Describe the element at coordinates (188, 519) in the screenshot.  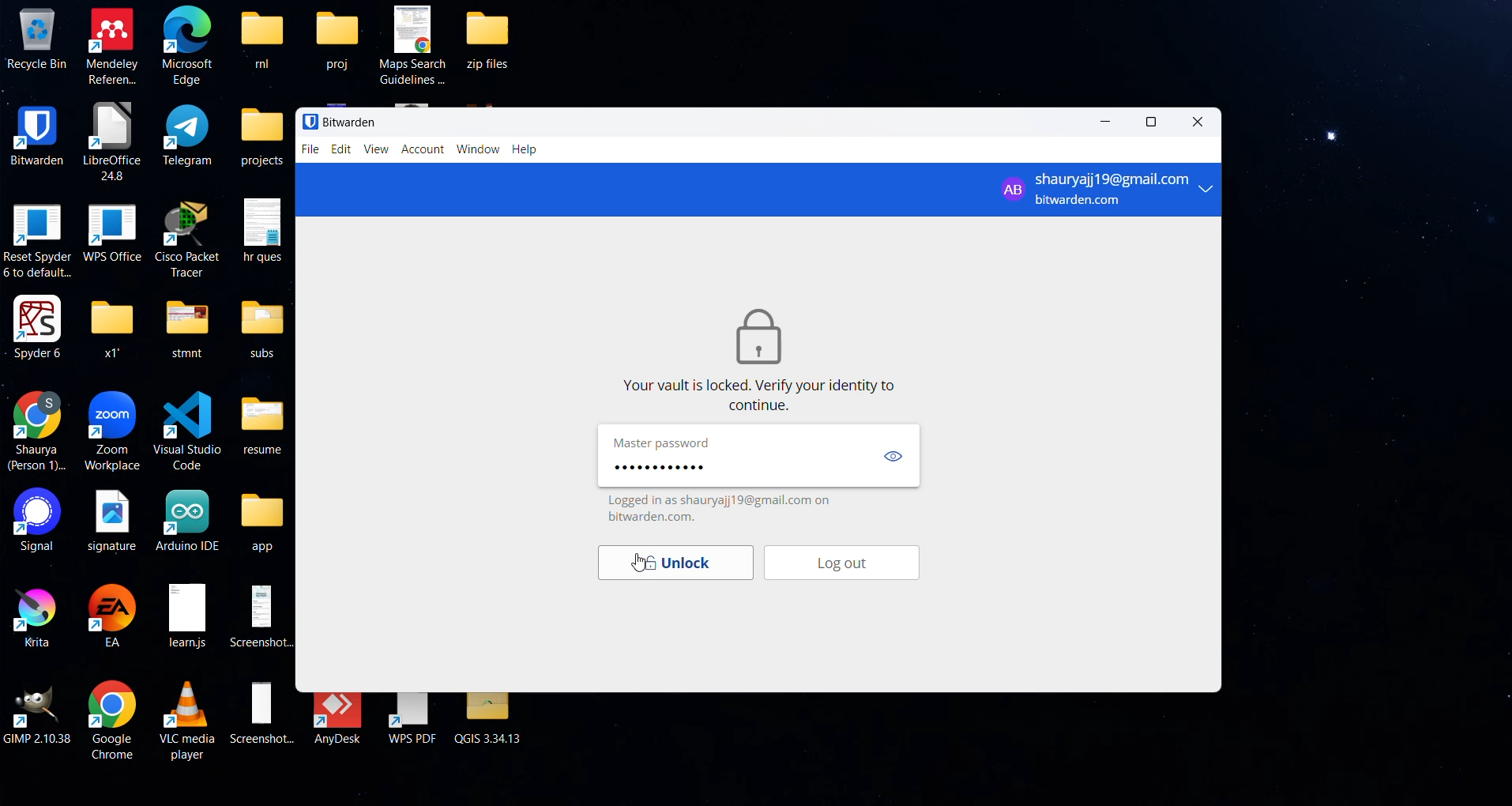
I see `Arduino IDE` at that location.